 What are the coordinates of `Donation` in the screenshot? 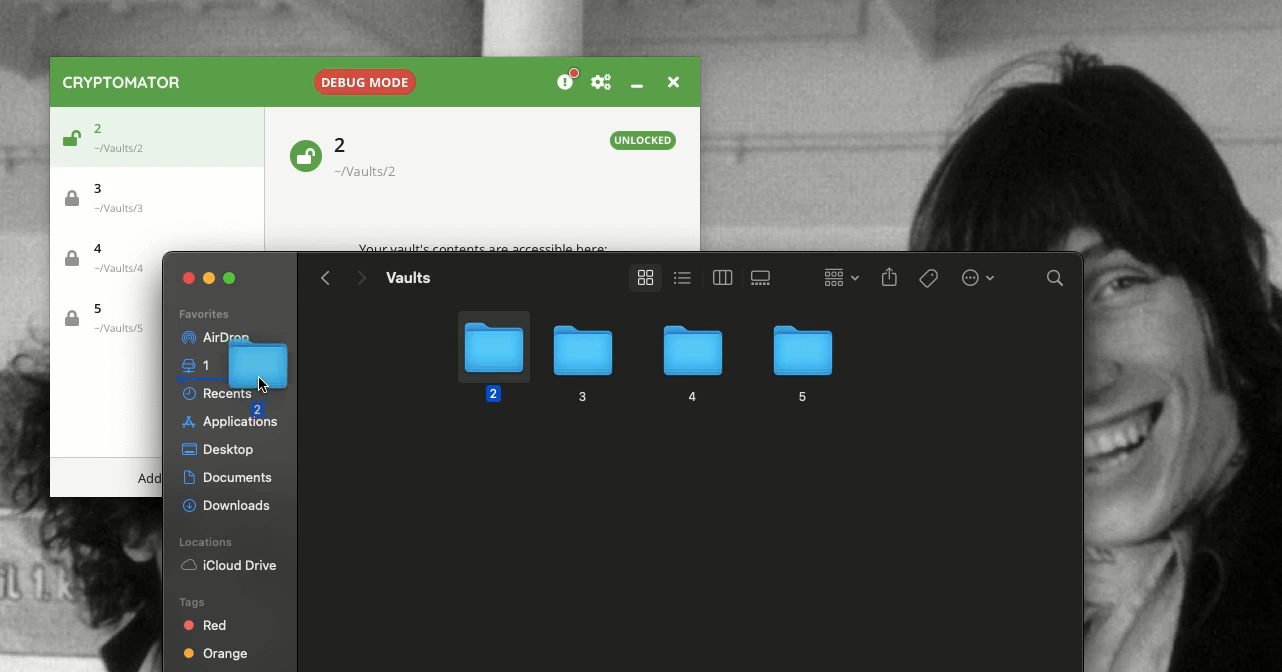 It's located at (568, 81).